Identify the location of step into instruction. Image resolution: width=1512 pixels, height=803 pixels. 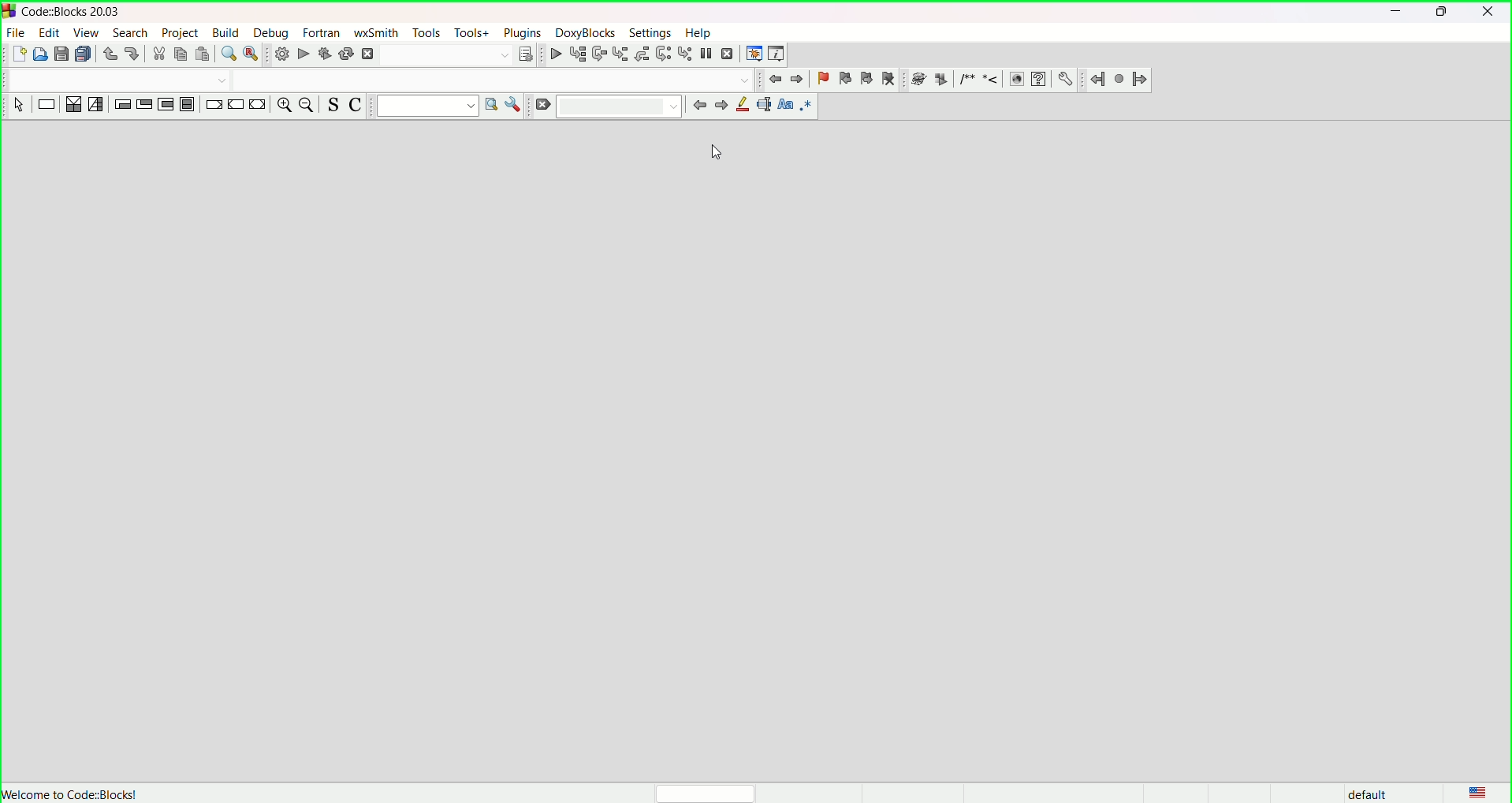
(685, 54).